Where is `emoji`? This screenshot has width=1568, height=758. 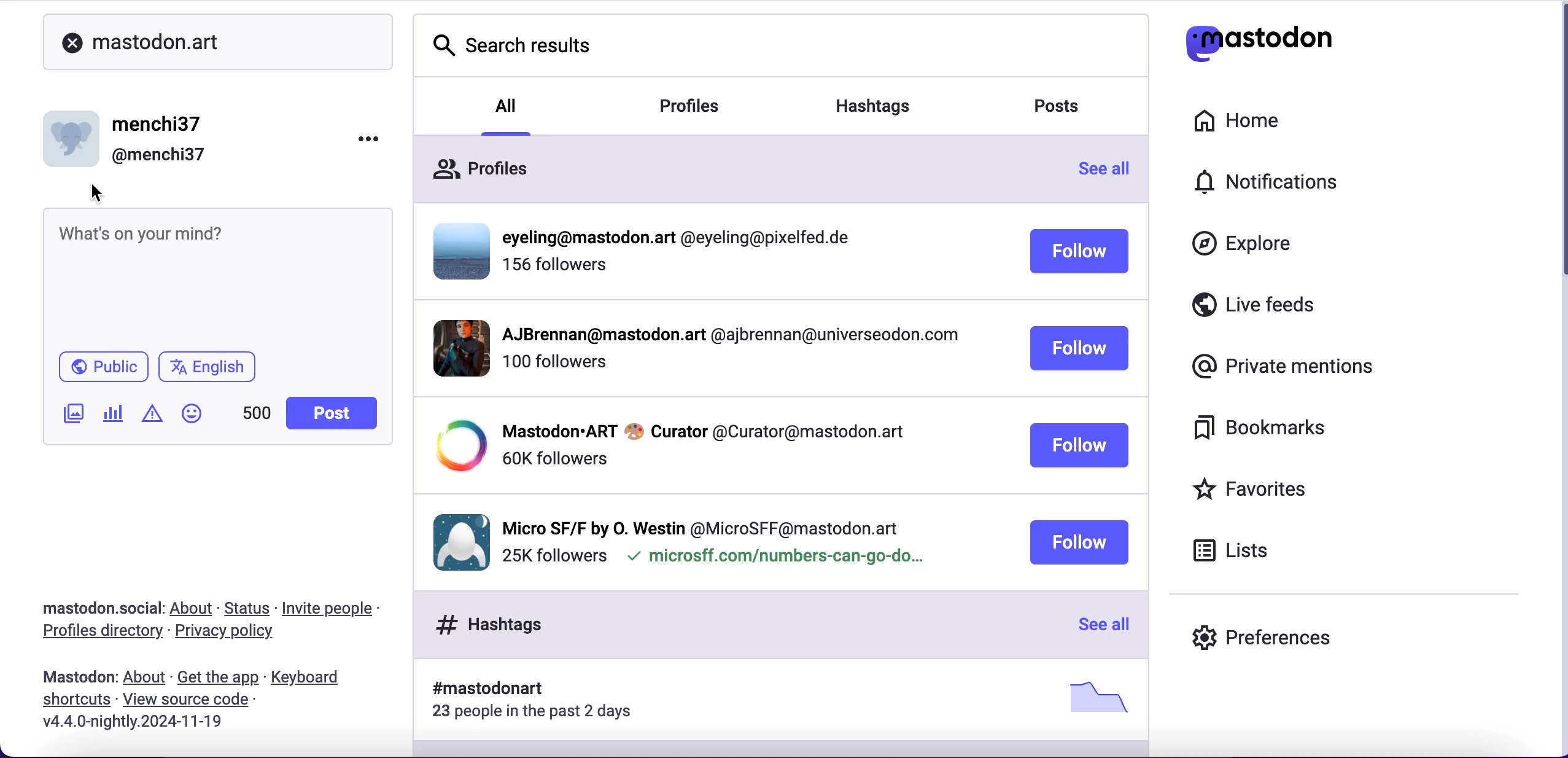
emoji is located at coordinates (195, 413).